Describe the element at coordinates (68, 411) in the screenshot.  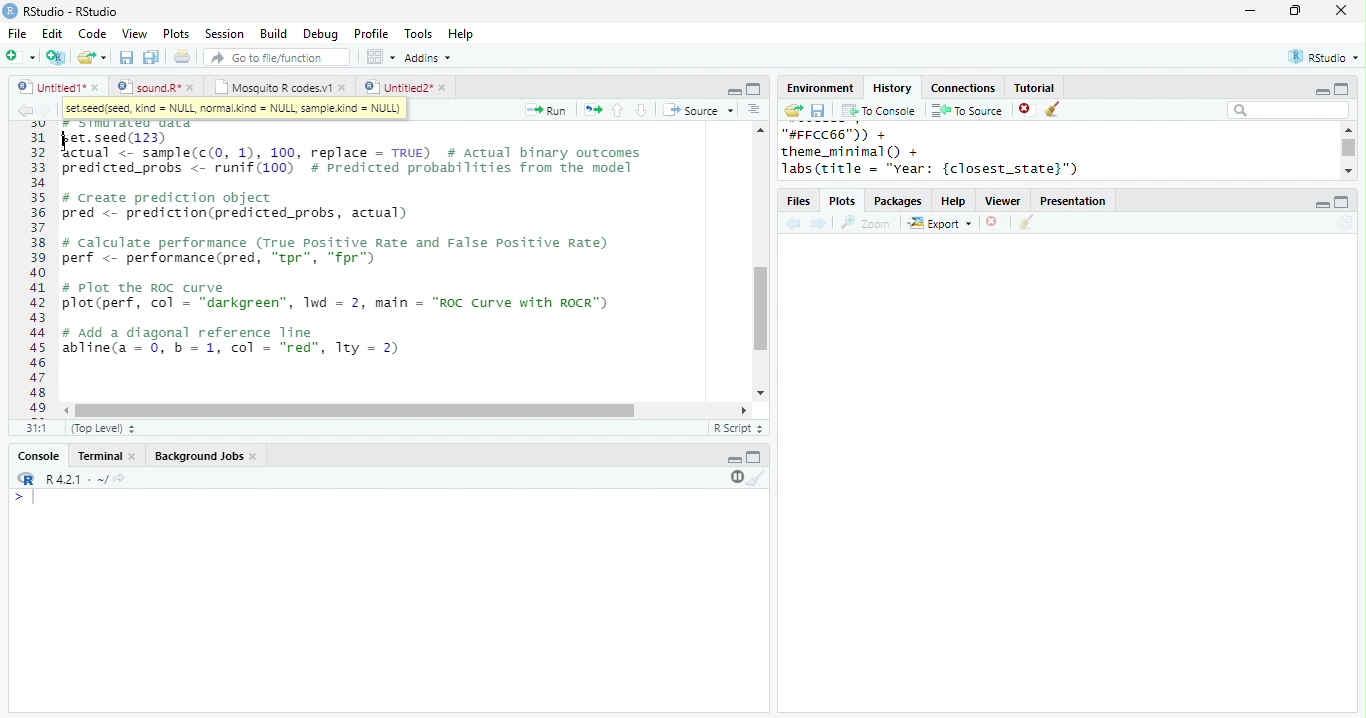
I see `scroll left` at that location.